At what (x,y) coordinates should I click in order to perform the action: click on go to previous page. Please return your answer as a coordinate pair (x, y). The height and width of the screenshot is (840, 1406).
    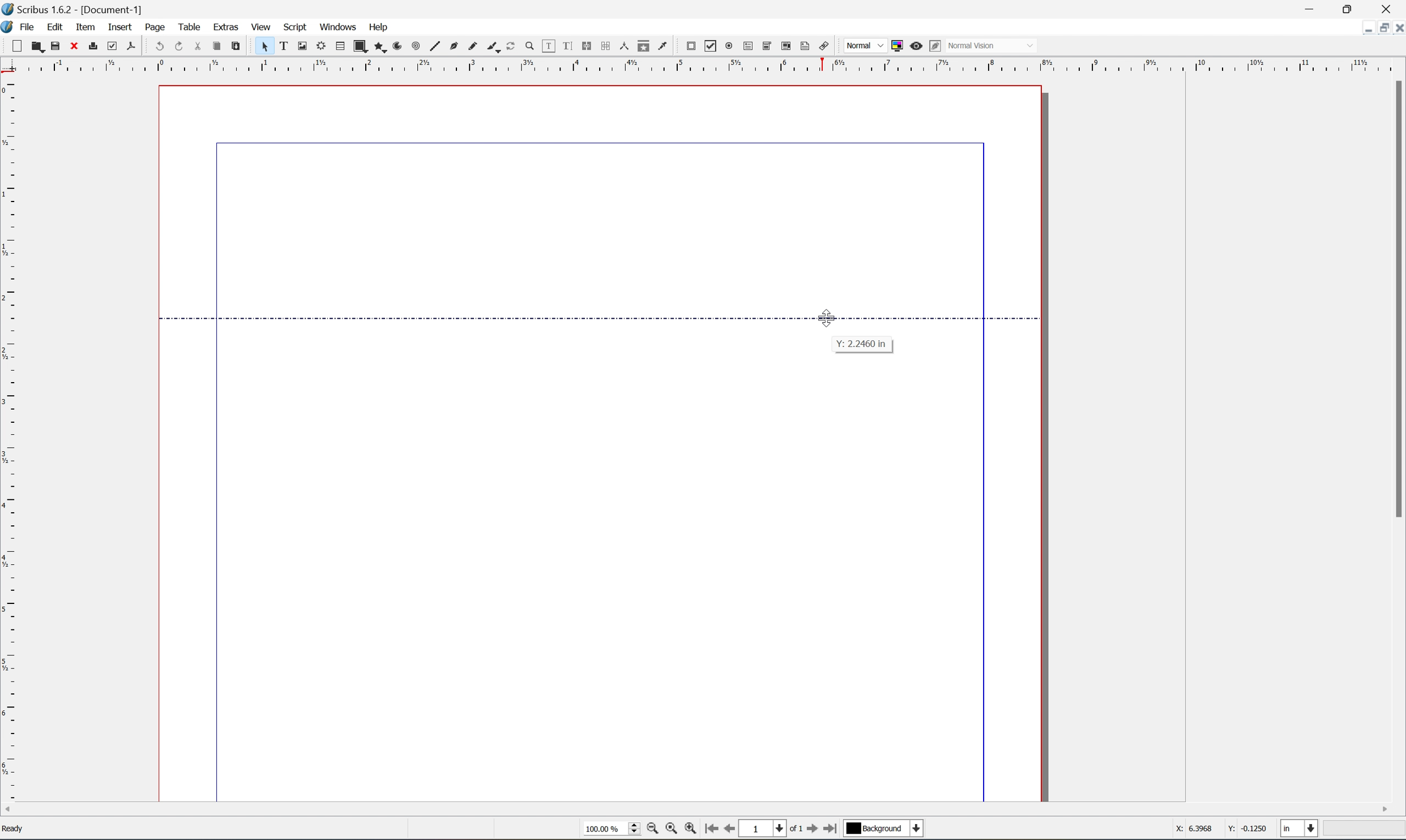
    Looking at the image, I should click on (727, 830).